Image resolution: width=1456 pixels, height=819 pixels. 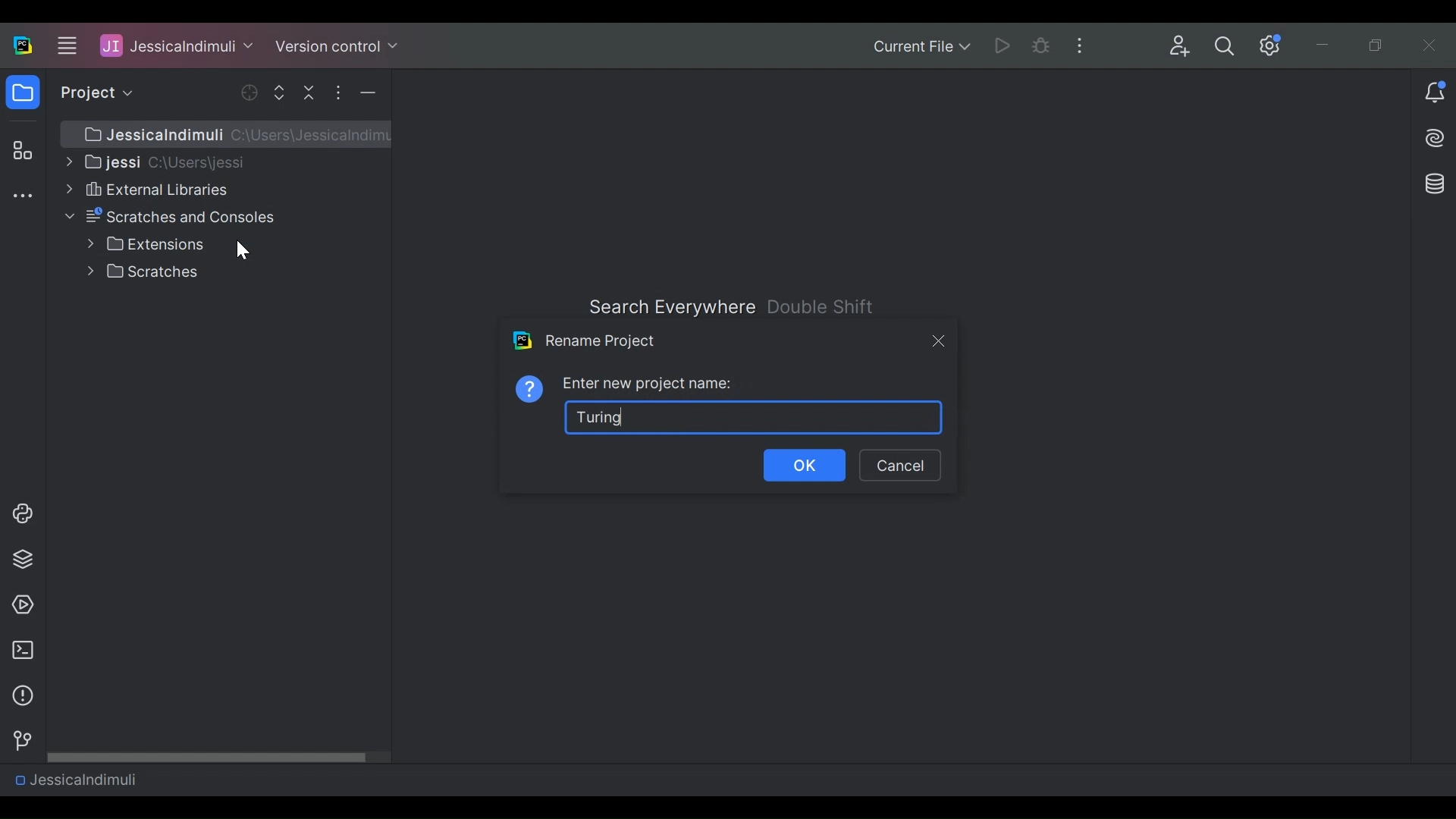 What do you see at coordinates (173, 217) in the screenshot?
I see `Scratches and Console File` at bounding box center [173, 217].